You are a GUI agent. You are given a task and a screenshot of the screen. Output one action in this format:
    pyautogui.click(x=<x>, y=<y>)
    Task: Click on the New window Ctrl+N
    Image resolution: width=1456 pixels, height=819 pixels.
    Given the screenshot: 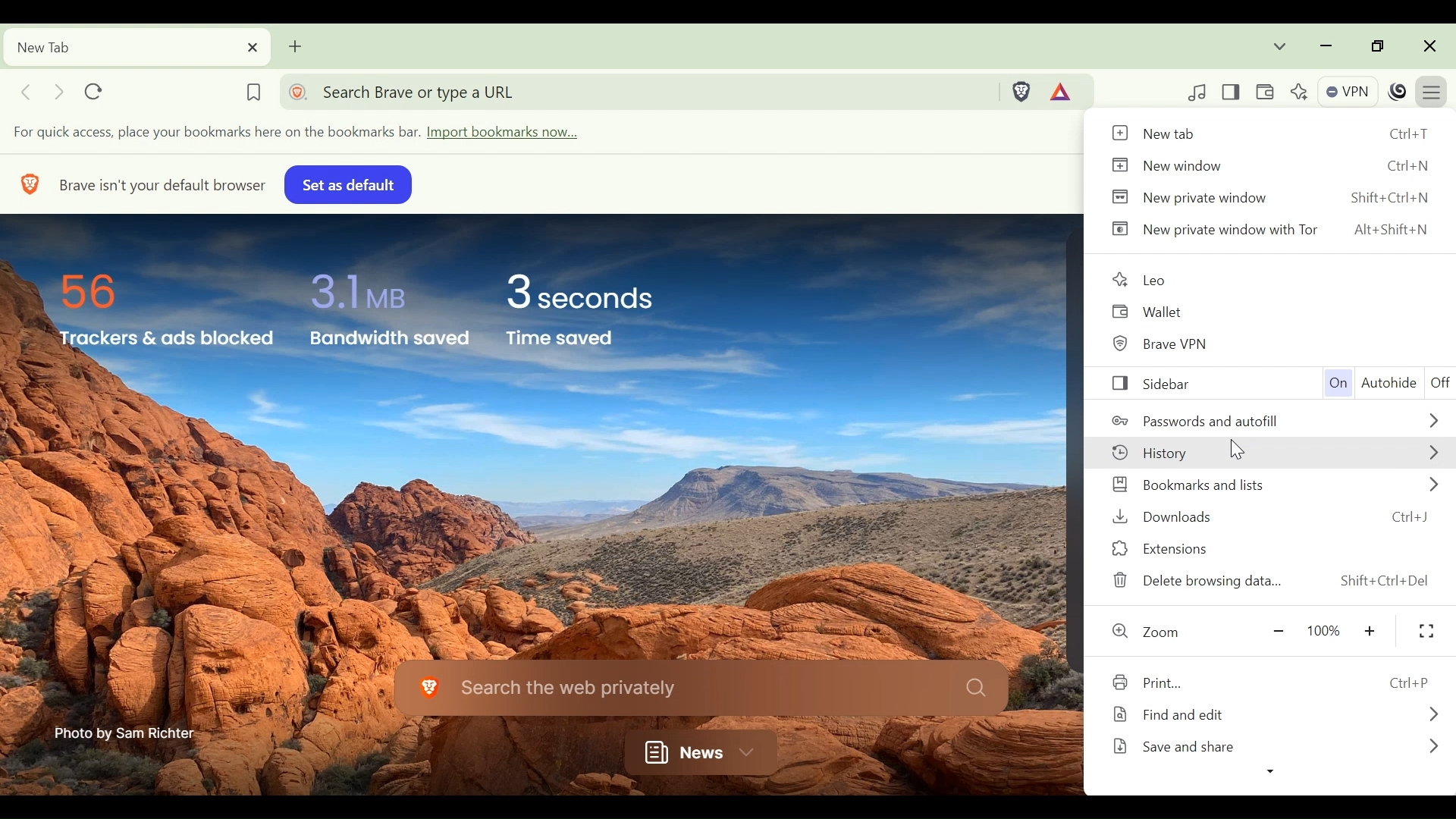 What is the action you would take?
    pyautogui.click(x=1271, y=165)
    